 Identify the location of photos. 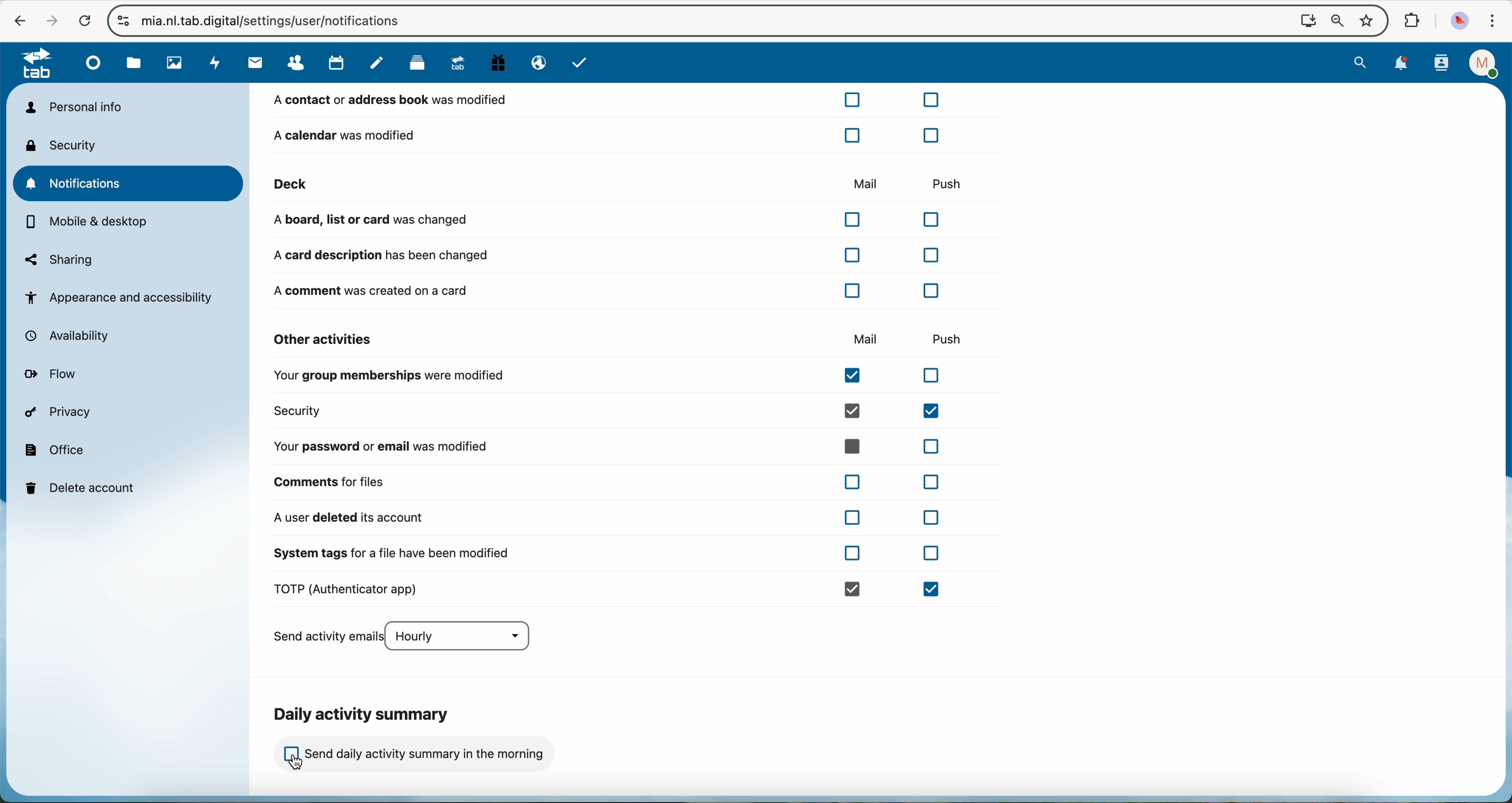
(173, 63).